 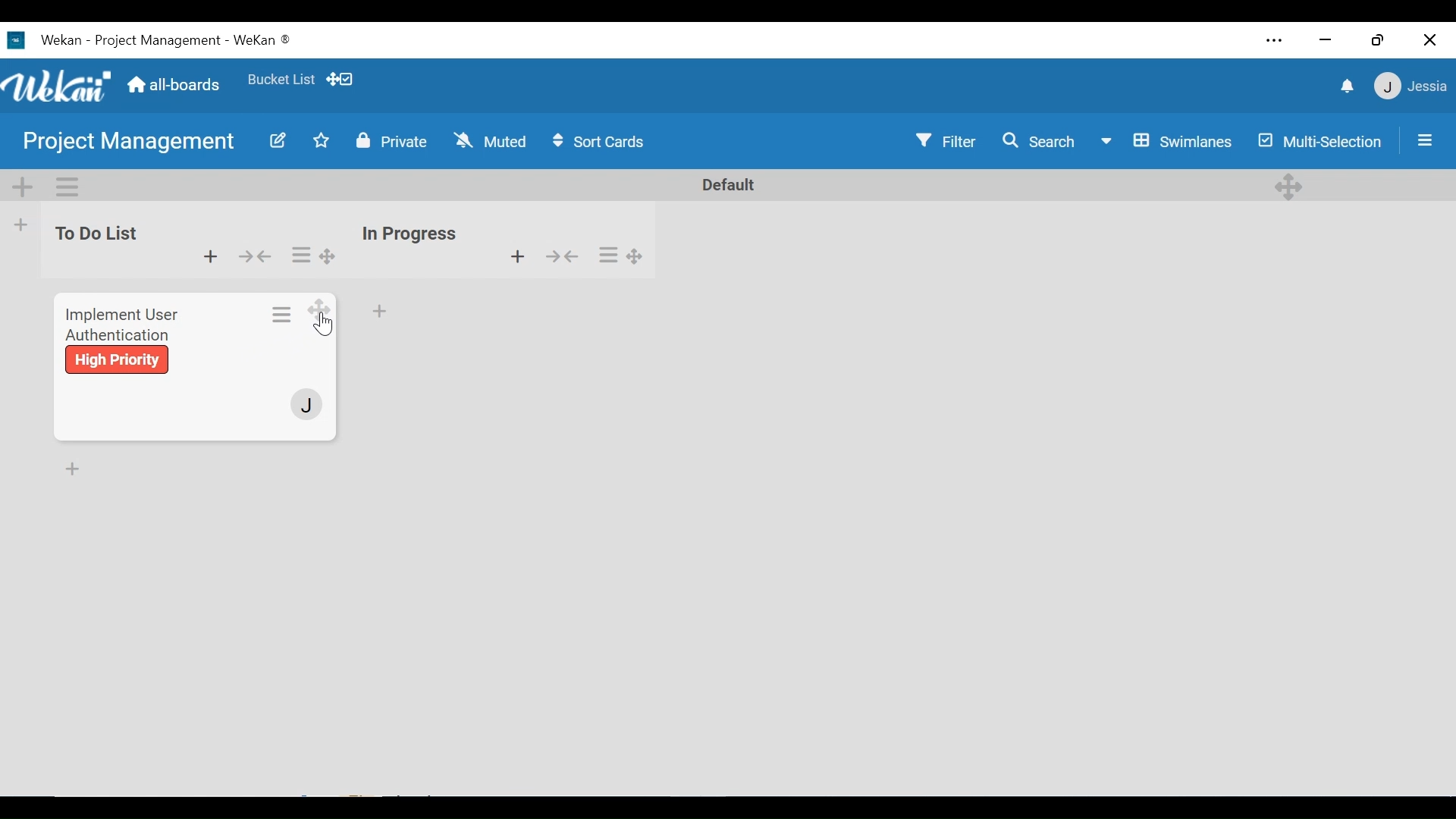 What do you see at coordinates (1376, 41) in the screenshot?
I see `Restore` at bounding box center [1376, 41].